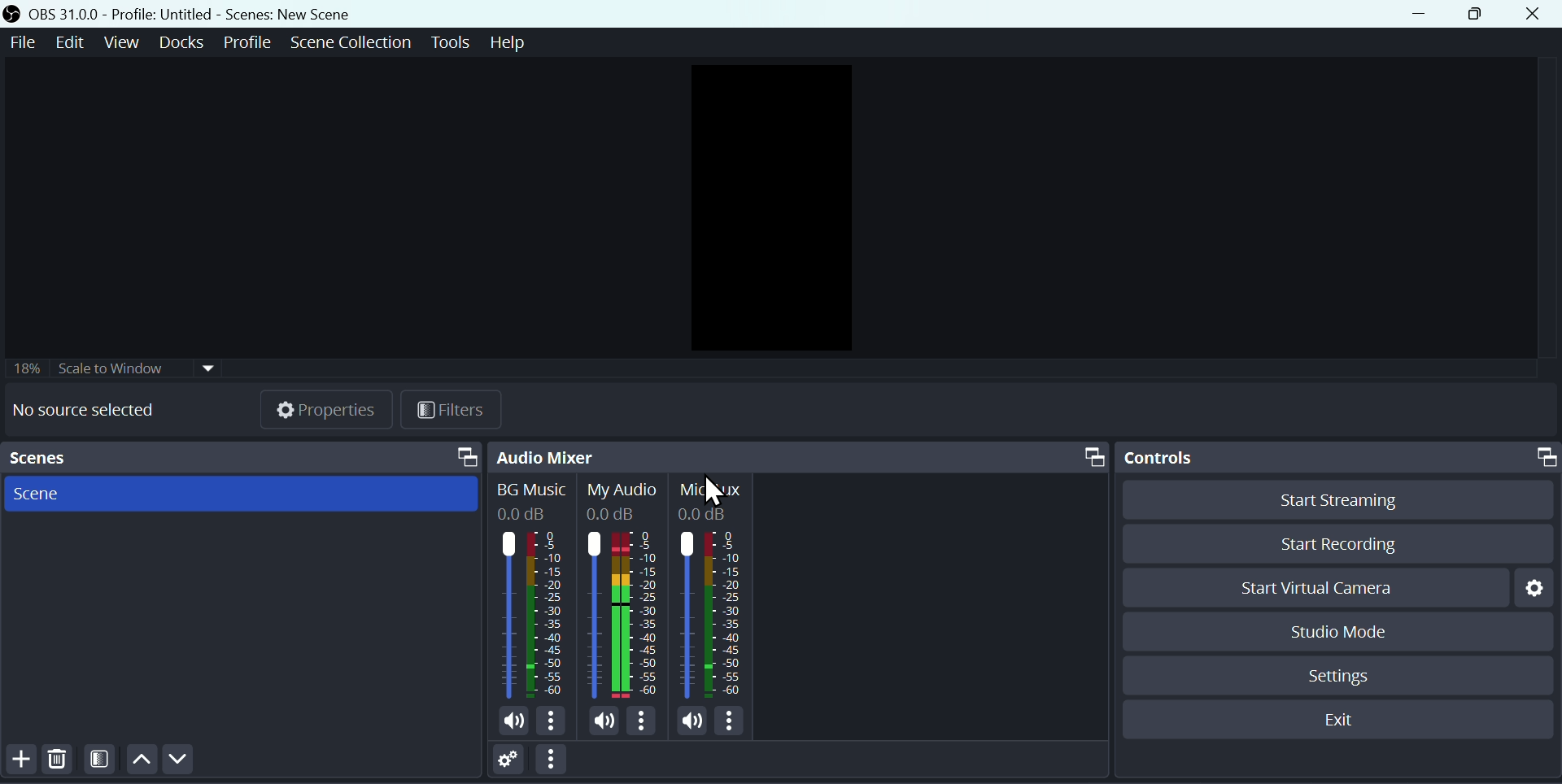 The image size is (1562, 784). What do you see at coordinates (331, 412) in the screenshot?
I see `Properties` at bounding box center [331, 412].